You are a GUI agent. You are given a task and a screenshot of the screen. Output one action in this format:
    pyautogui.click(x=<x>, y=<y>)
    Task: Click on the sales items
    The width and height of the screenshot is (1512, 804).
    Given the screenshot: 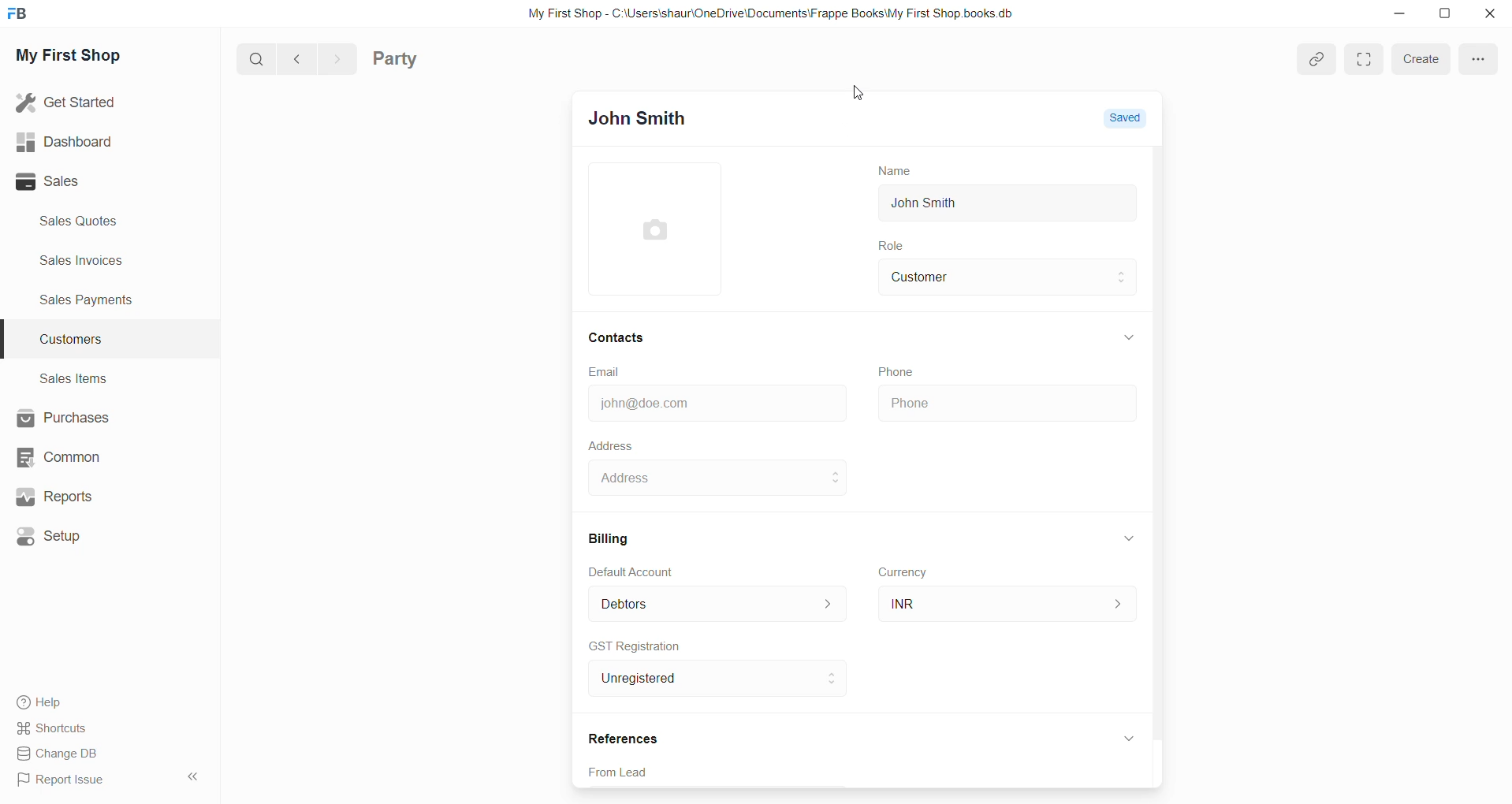 What is the action you would take?
    pyautogui.click(x=73, y=378)
    